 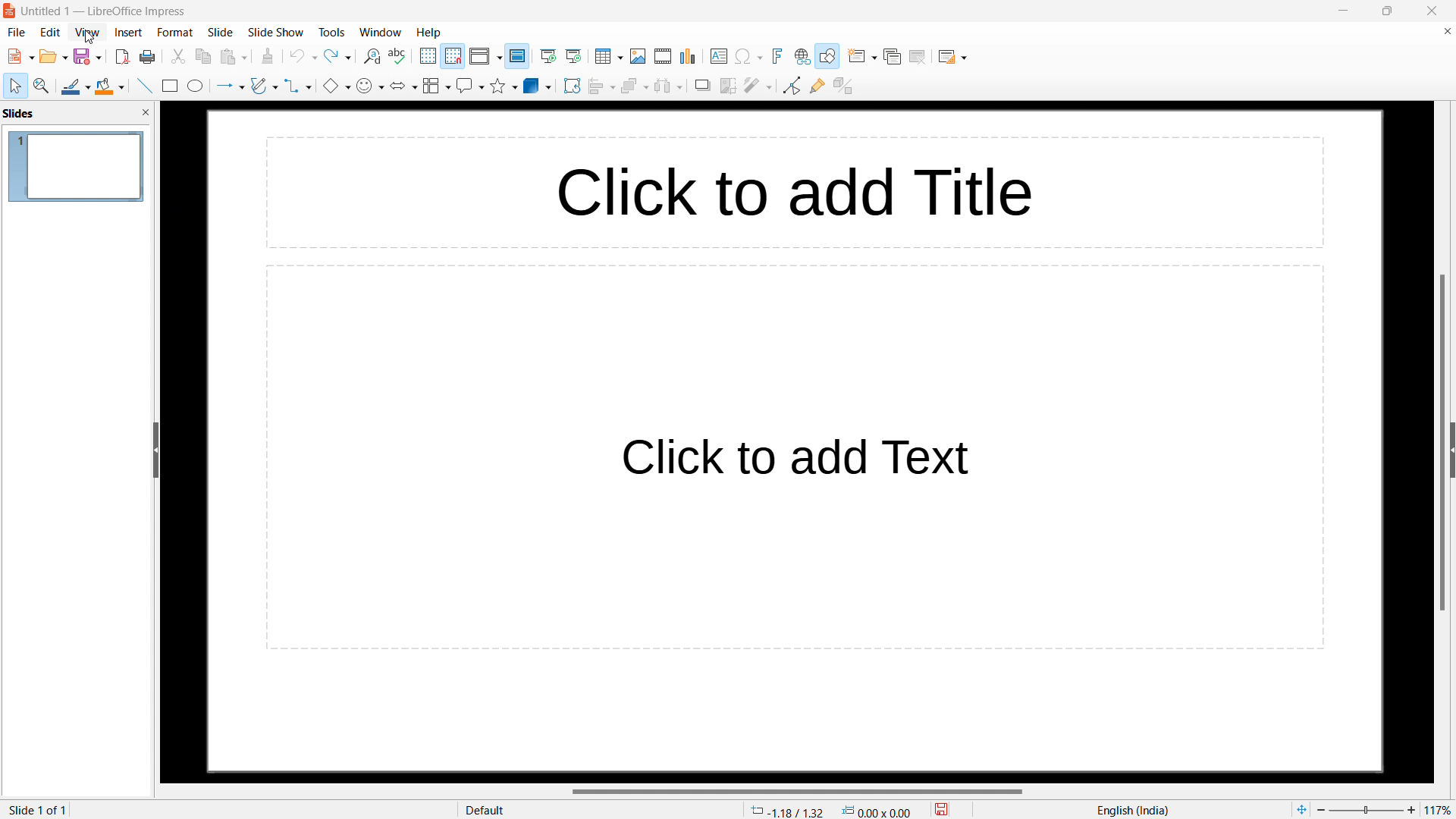 I want to click on display views, so click(x=485, y=56).